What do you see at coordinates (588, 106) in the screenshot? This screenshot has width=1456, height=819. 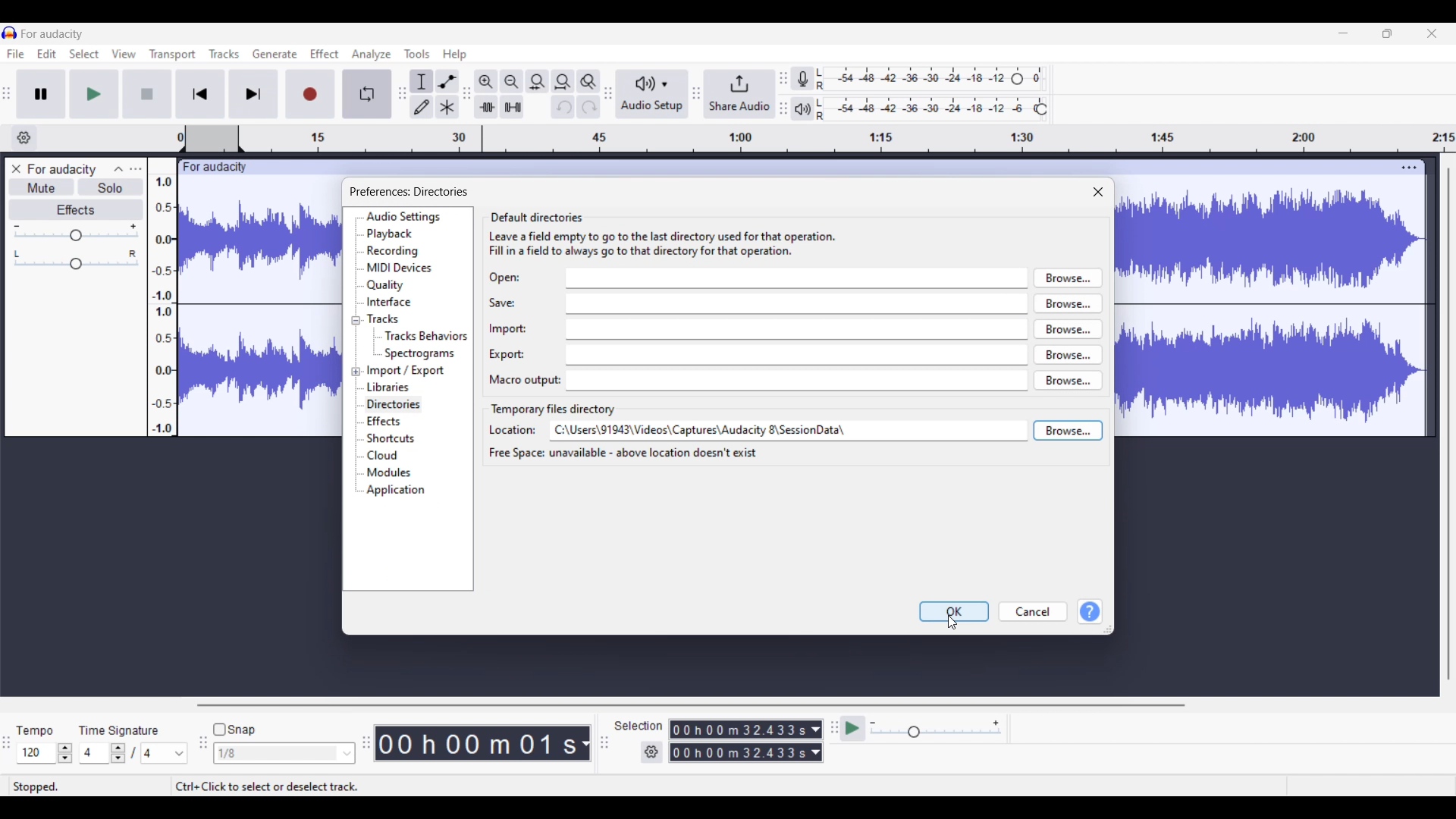 I see `Redo` at bounding box center [588, 106].